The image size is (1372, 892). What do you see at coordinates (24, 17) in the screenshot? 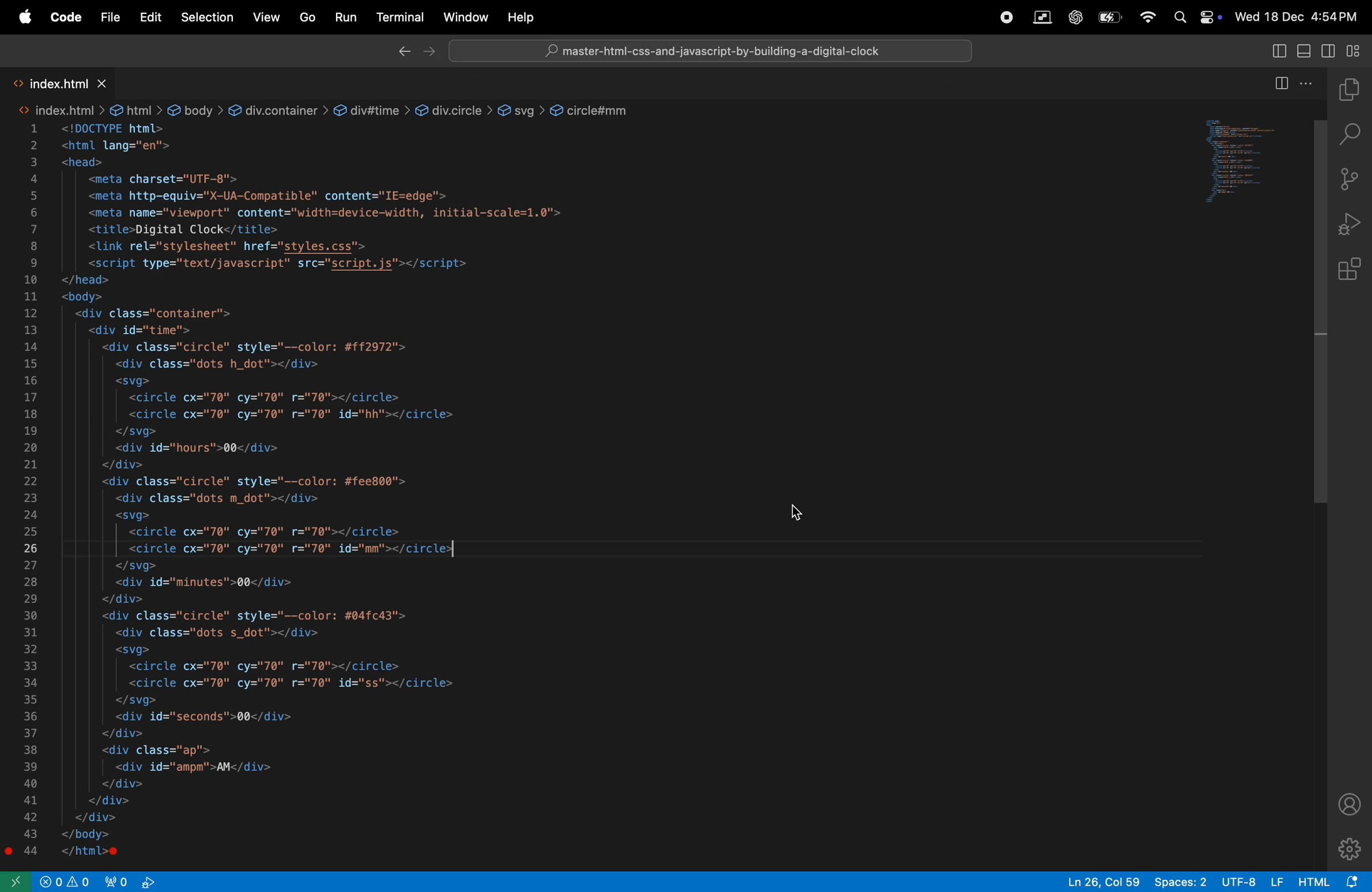
I see `apple menu` at bounding box center [24, 17].